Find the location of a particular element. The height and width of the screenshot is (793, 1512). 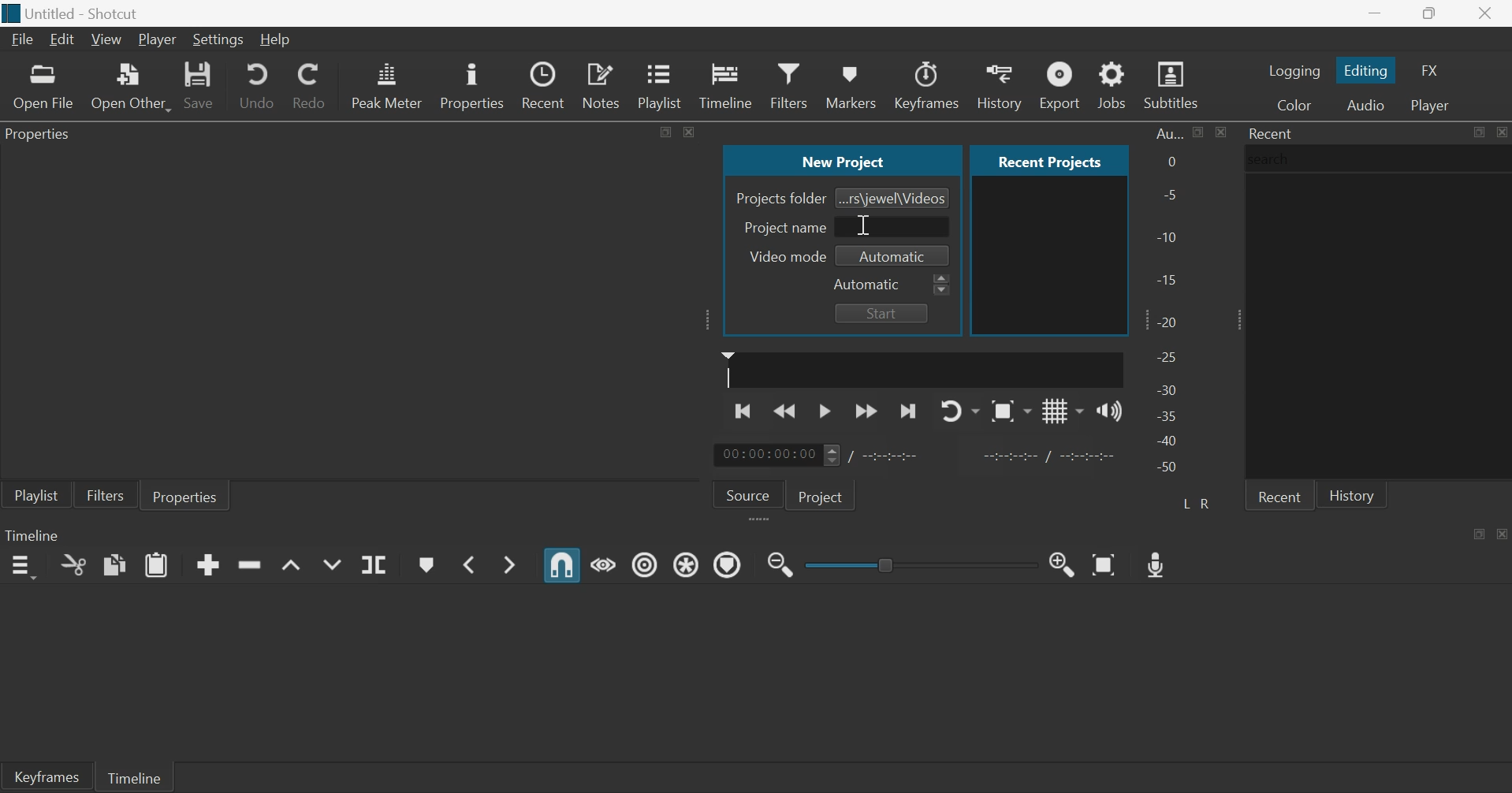

Lift is located at coordinates (292, 566).